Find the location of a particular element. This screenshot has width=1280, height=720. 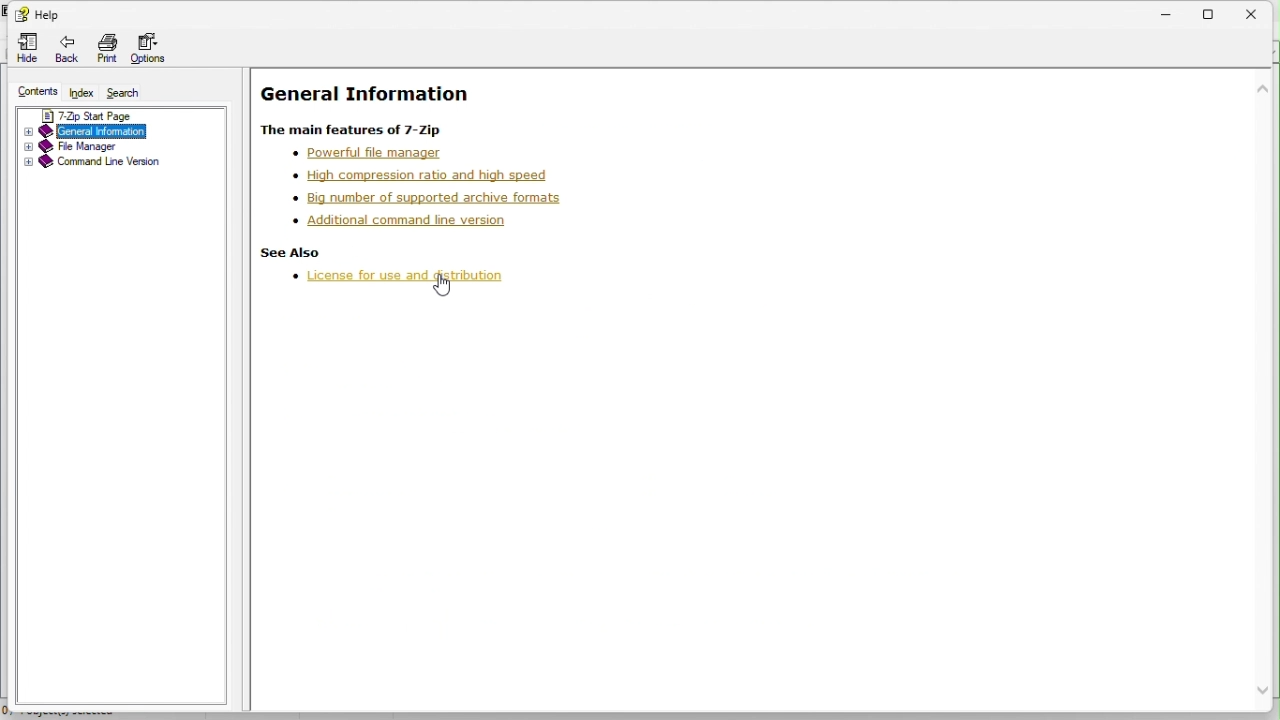

powerful file manager is located at coordinates (375, 153).